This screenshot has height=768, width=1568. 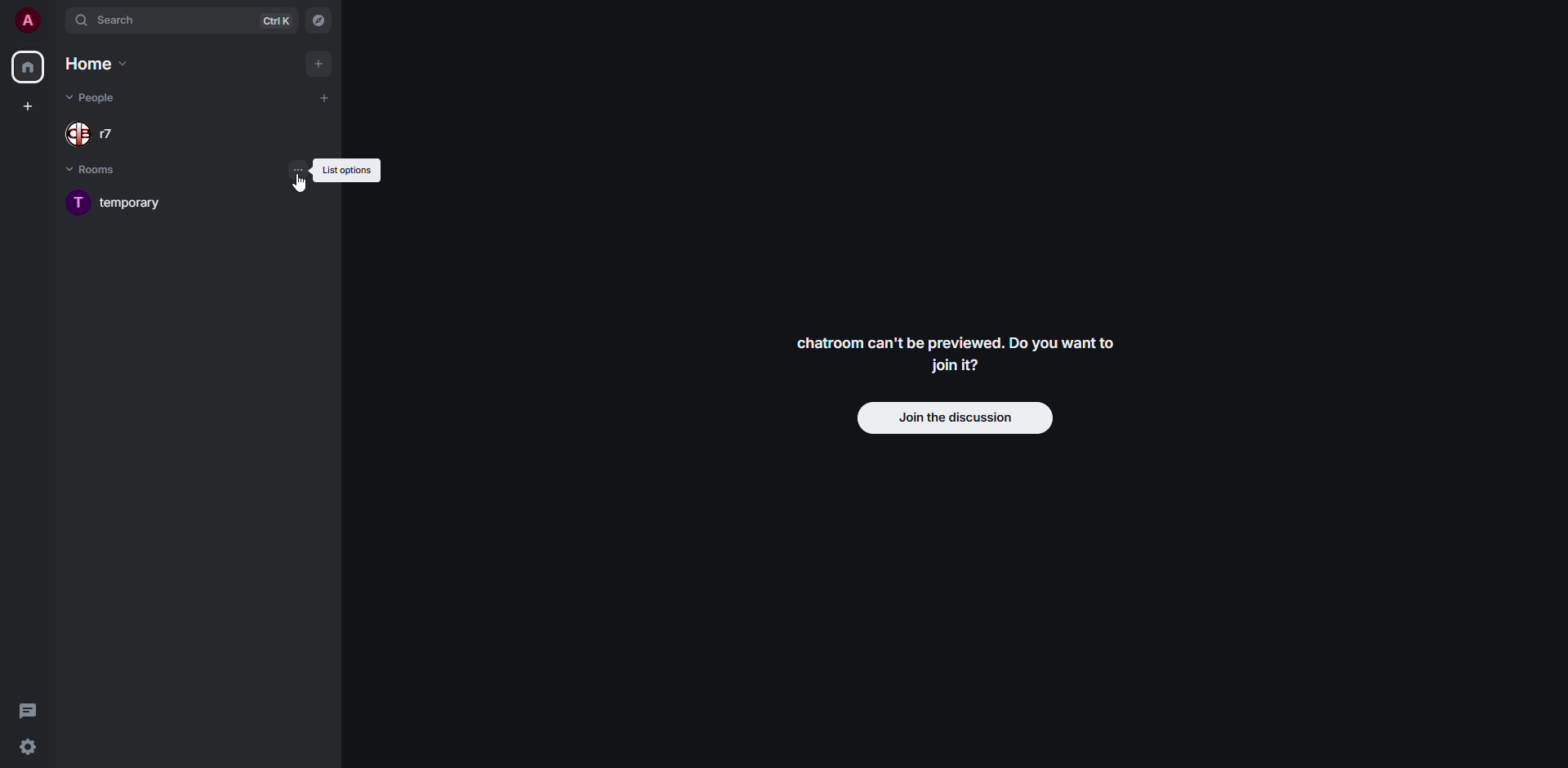 I want to click on people, so click(x=96, y=98).